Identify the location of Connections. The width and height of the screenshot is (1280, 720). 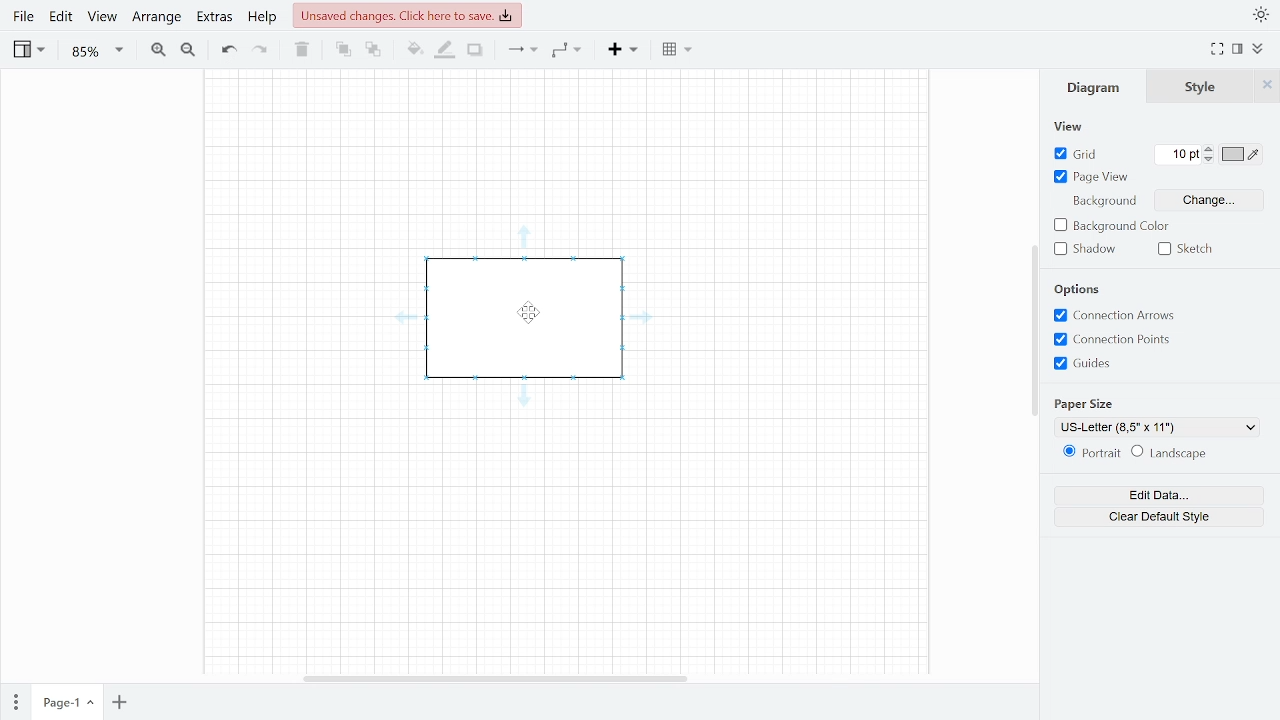
(523, 51).